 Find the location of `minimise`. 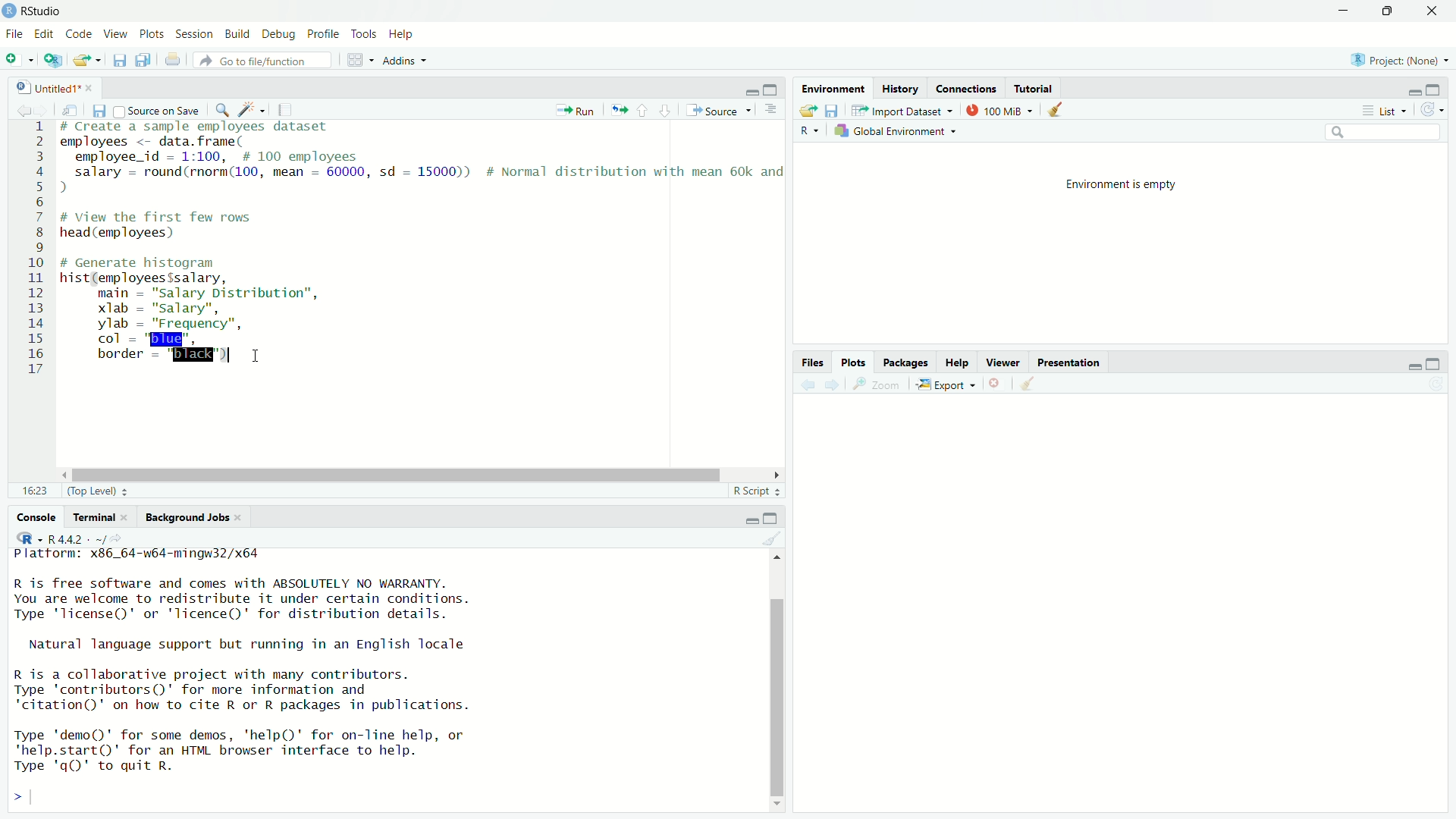

minimise is located at coordinates (1414, 93).